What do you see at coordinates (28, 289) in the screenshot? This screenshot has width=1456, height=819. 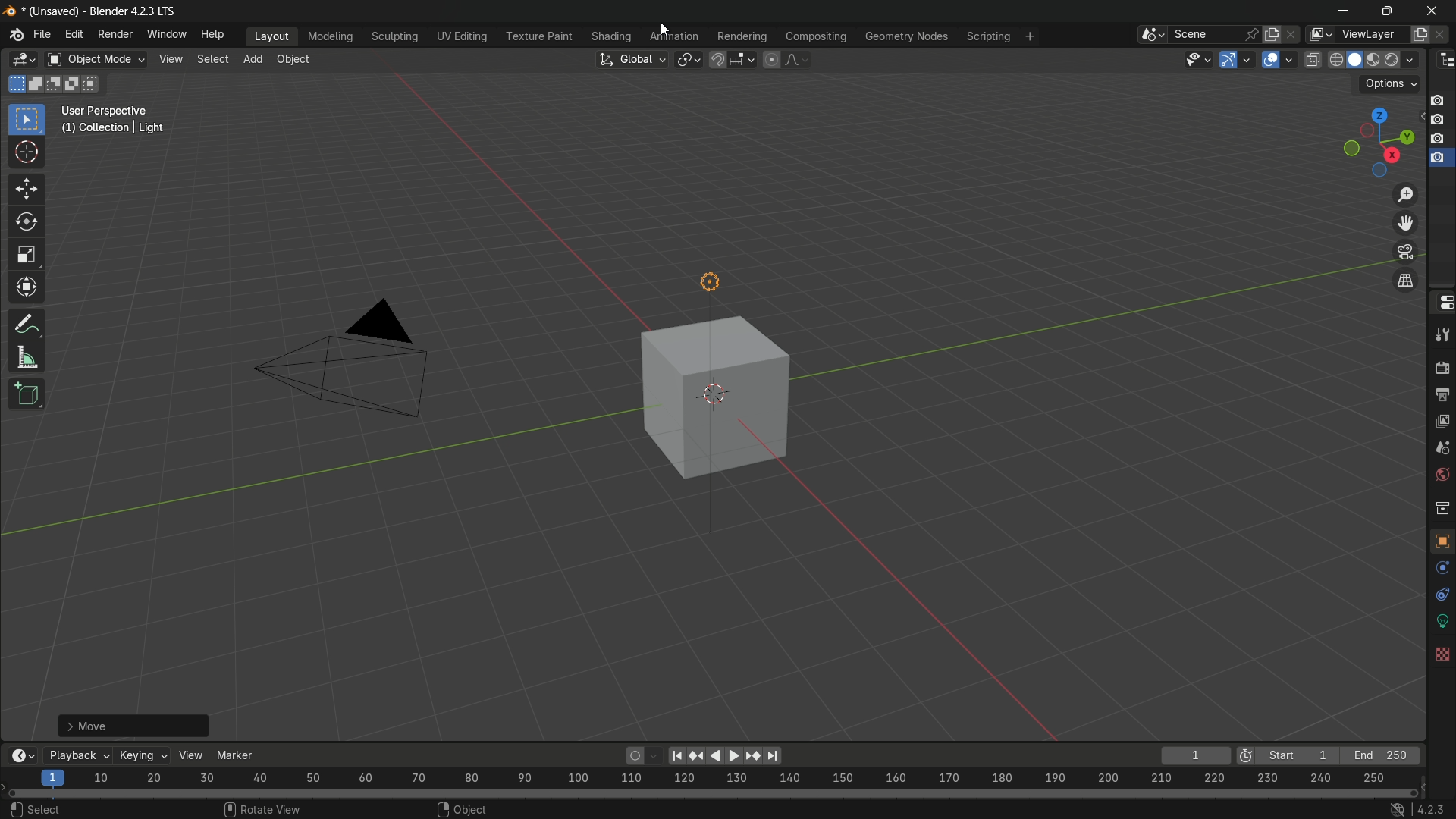 I see `transform` at bounding box center [28, 289].